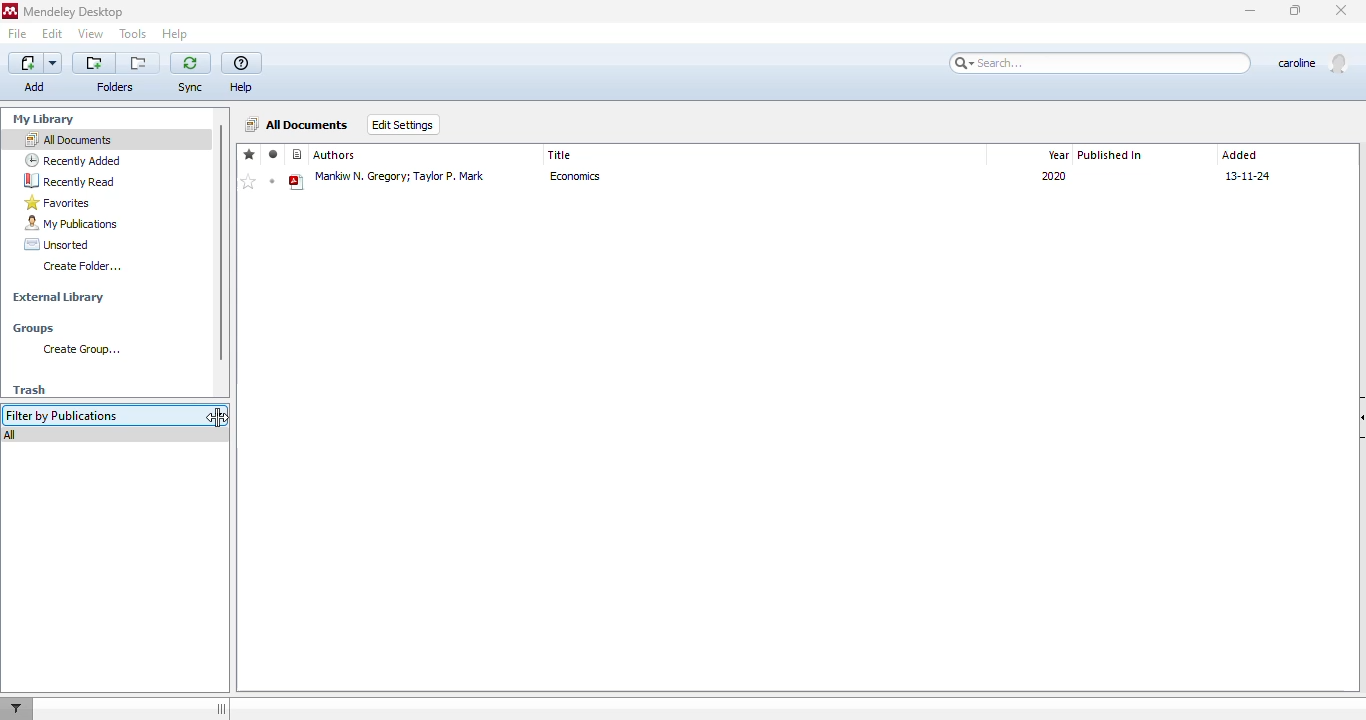 The image size is (1366, 720). What do you see at coordinates (101, 416) in the screenshot?
I see `filter by publications` at bounding box center [101, 416].